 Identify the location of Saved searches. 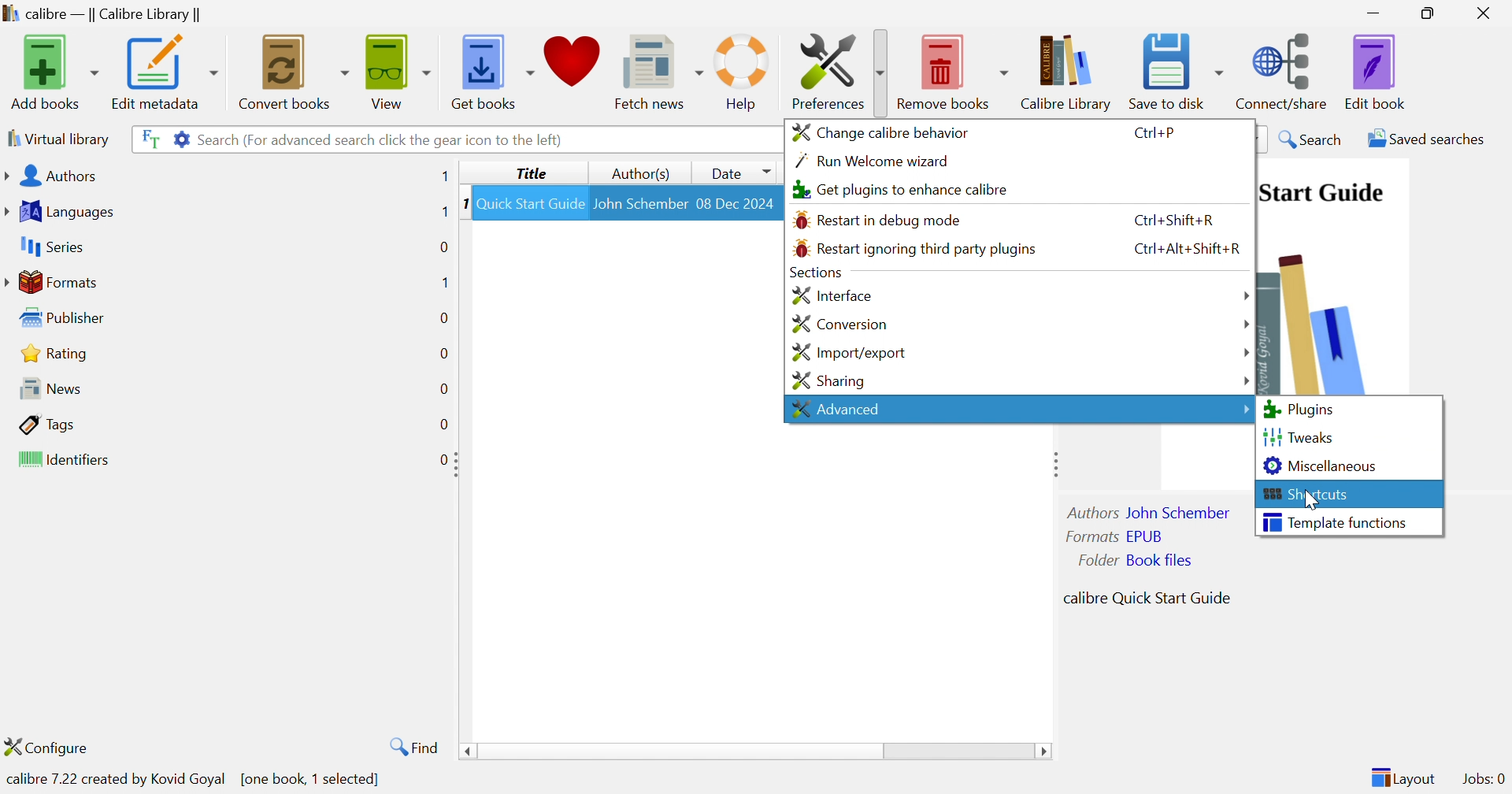
(1425, 139).